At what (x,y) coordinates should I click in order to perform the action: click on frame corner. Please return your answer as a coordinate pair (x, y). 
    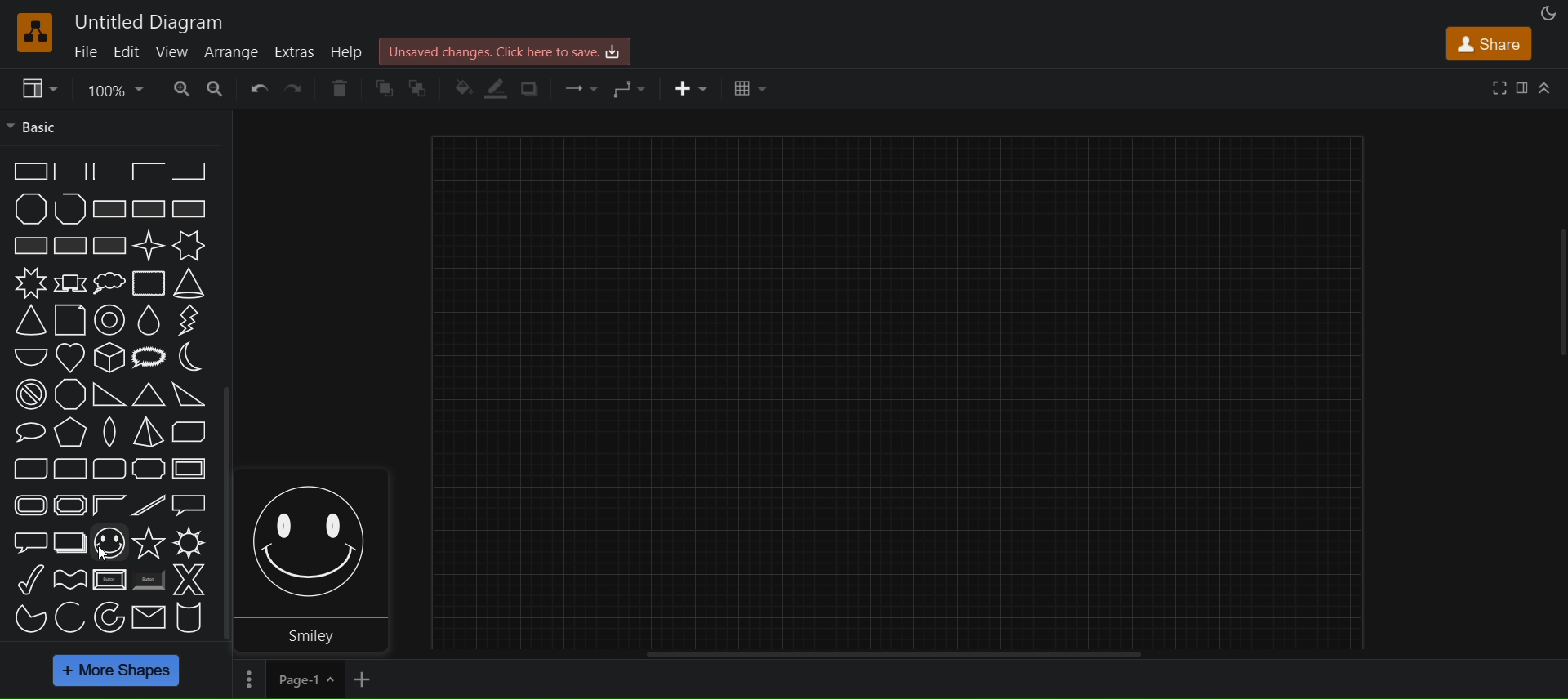
    Looking at the image, I should click on (108, 505).